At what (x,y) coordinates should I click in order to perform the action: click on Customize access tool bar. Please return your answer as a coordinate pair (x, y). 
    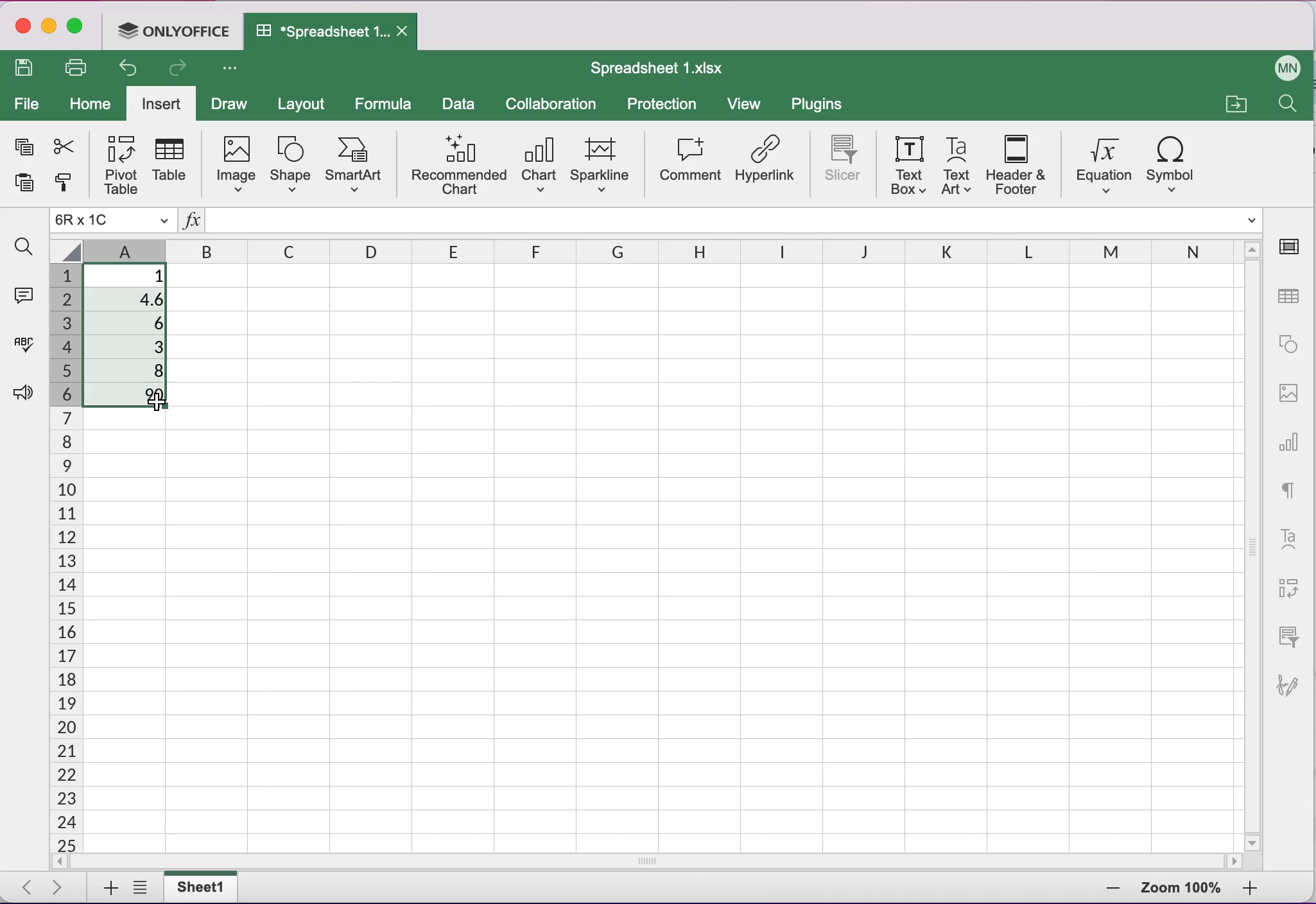
    Looking at the image, I should click on (230, 67).